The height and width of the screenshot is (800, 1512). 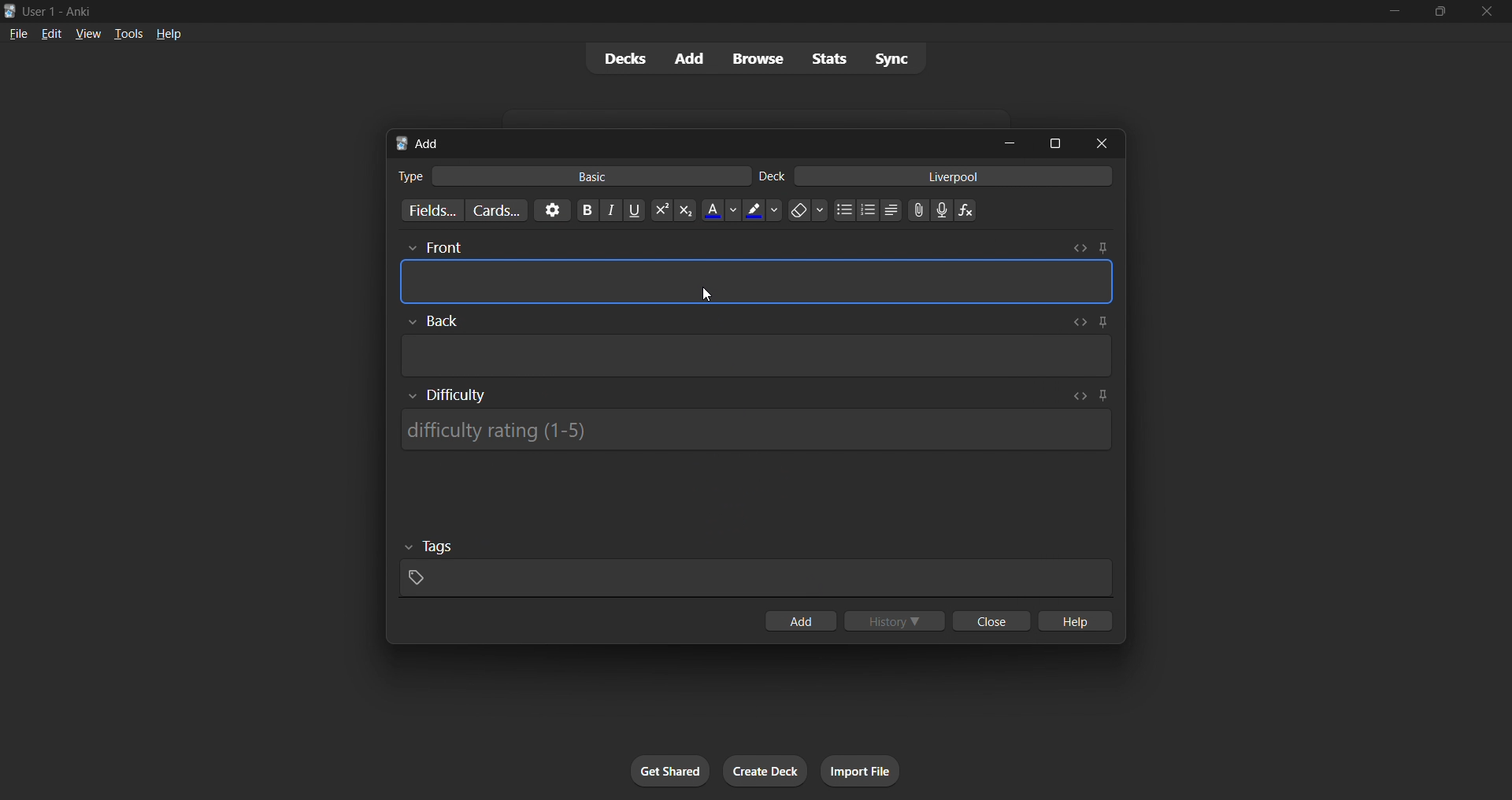 What do you see at coordinates (1102, 143) in the screenshot?
I see `close` at bounding box center [1102, 143].